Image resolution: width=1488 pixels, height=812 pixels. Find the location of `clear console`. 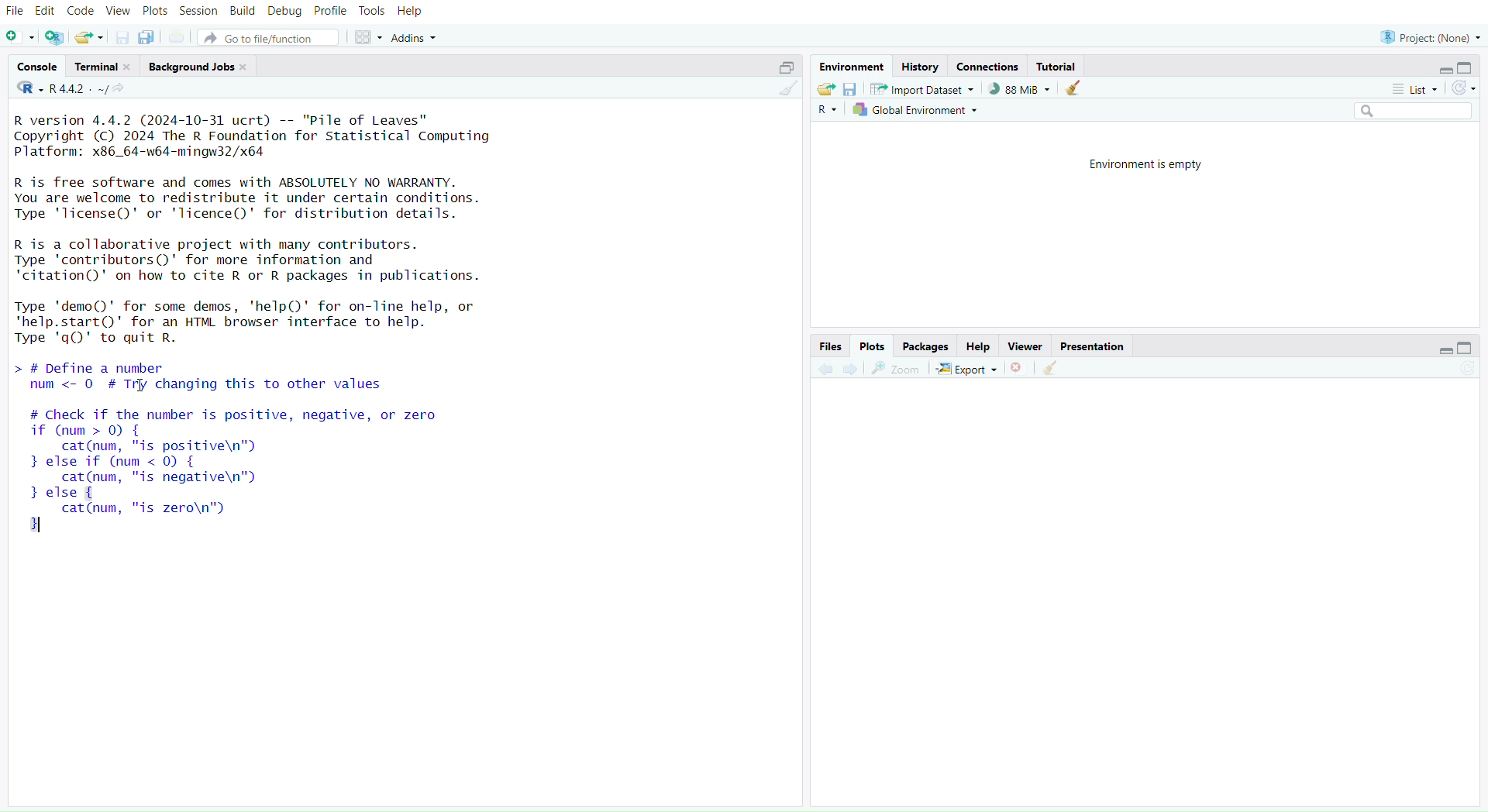

clear console is located at coordinates (787, 91).